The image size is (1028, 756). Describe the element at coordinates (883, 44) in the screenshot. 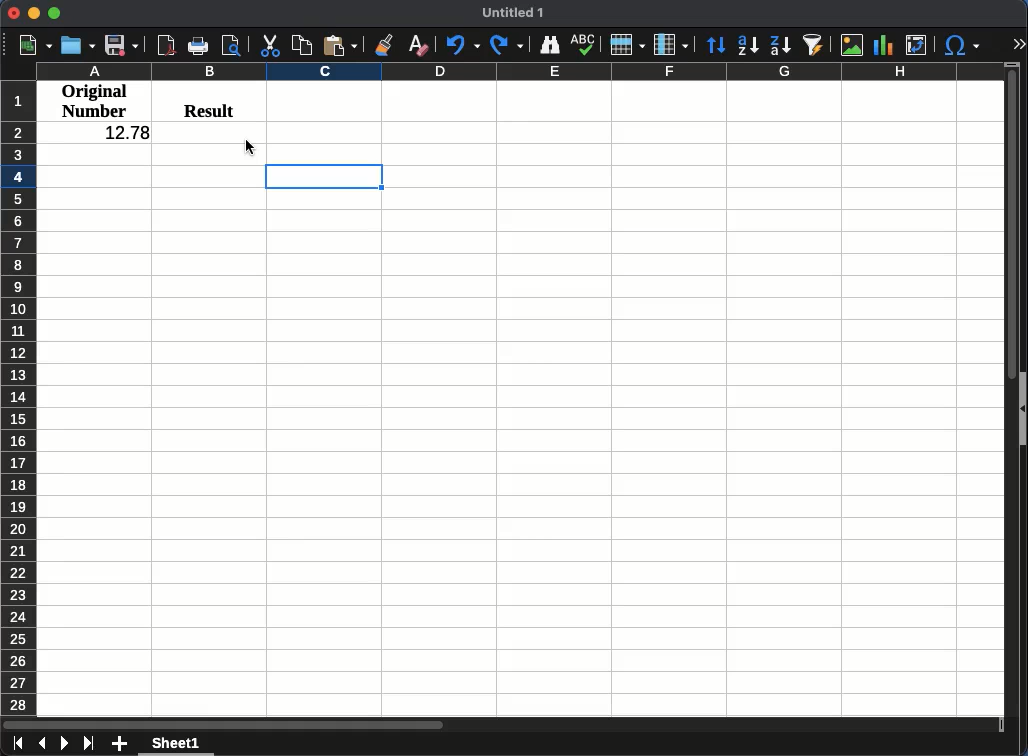

I see `chart` at that location.